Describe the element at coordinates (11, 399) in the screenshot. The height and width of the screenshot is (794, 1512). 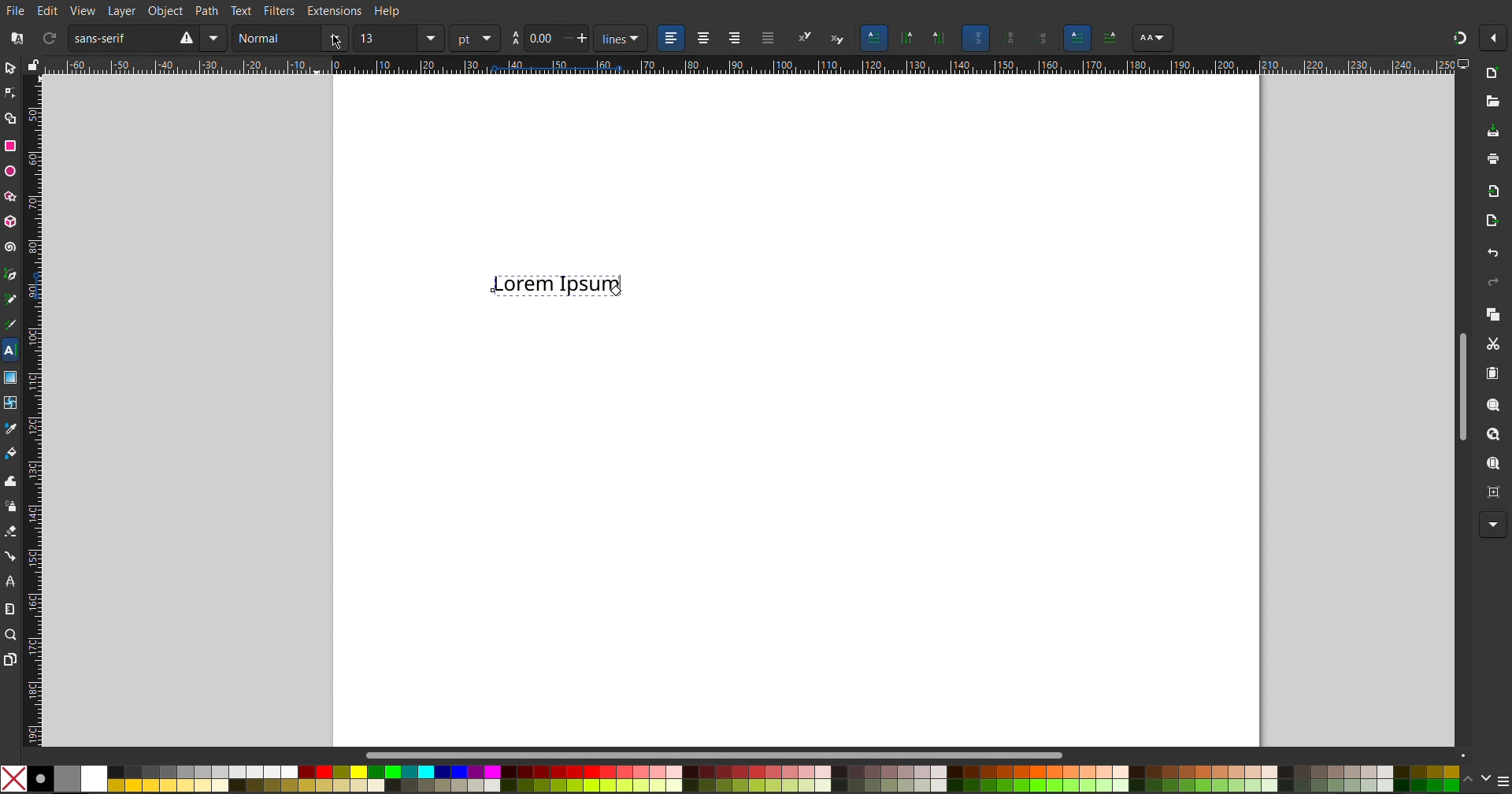
I see `Mesh Tool` at that location.